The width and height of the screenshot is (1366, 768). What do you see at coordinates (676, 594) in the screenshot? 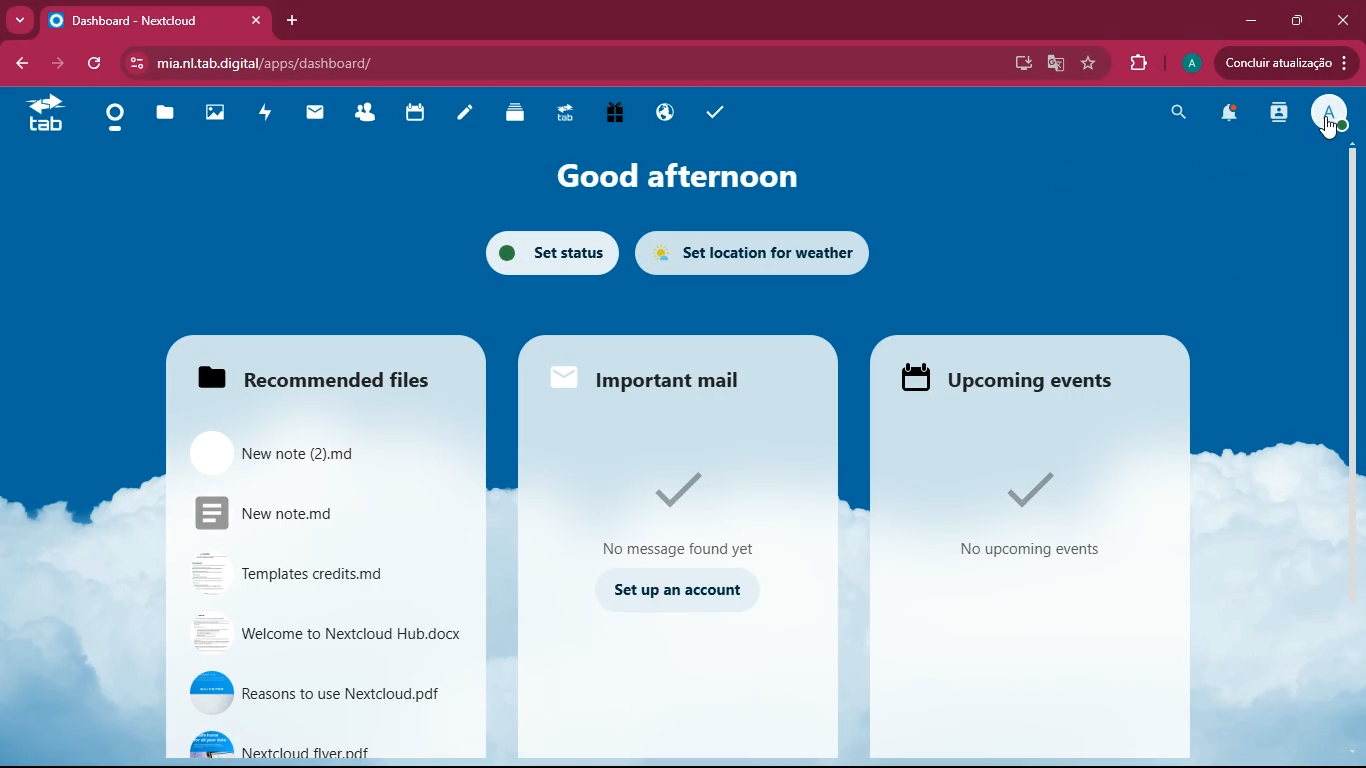
I see `set account` at bounding box center [676, 594].